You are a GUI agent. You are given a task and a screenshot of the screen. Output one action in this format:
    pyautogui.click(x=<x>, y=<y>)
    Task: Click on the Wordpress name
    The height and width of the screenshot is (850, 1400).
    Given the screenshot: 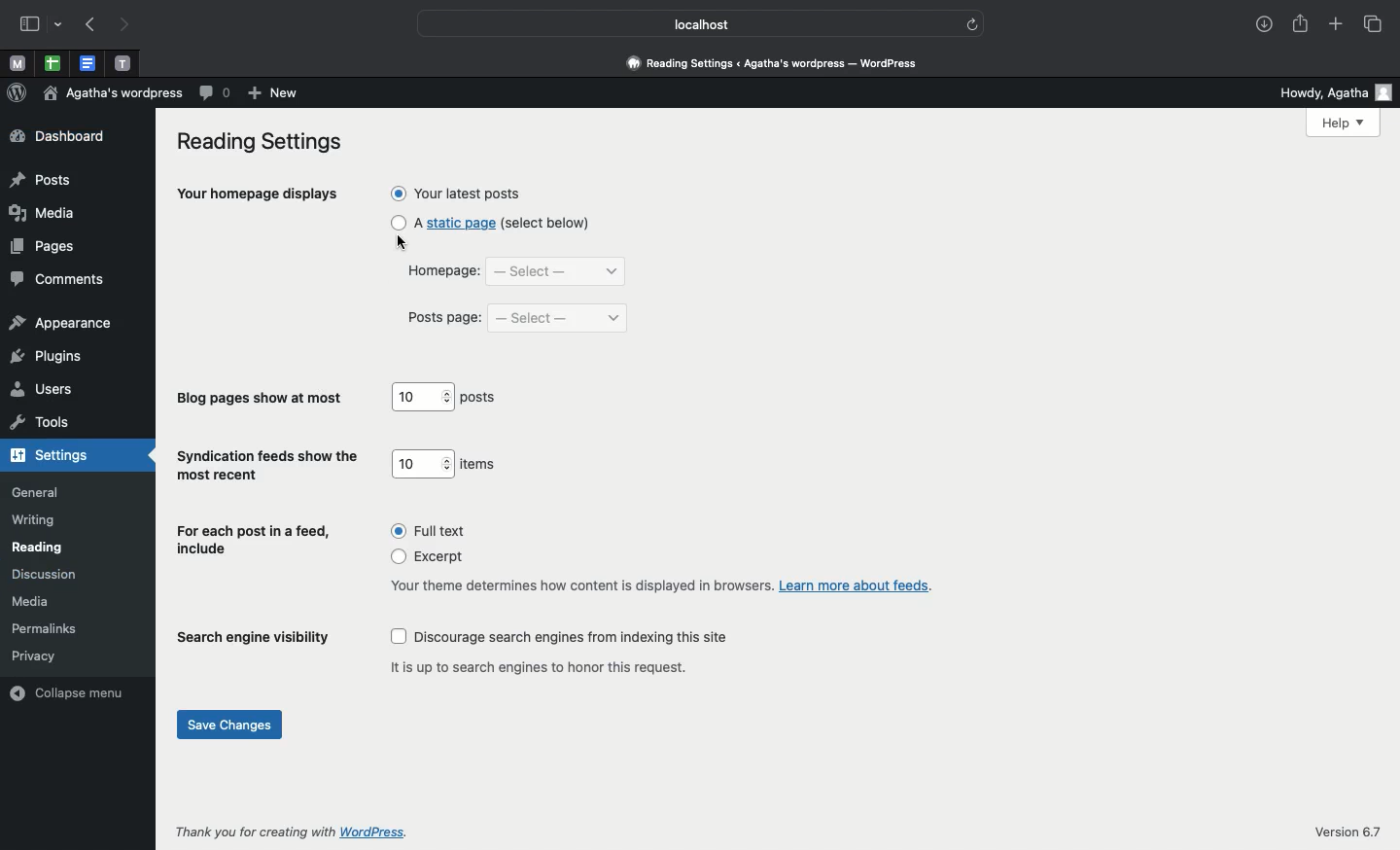 What is the action you would take?
    pyautogui.click(x=115, y=92)
    